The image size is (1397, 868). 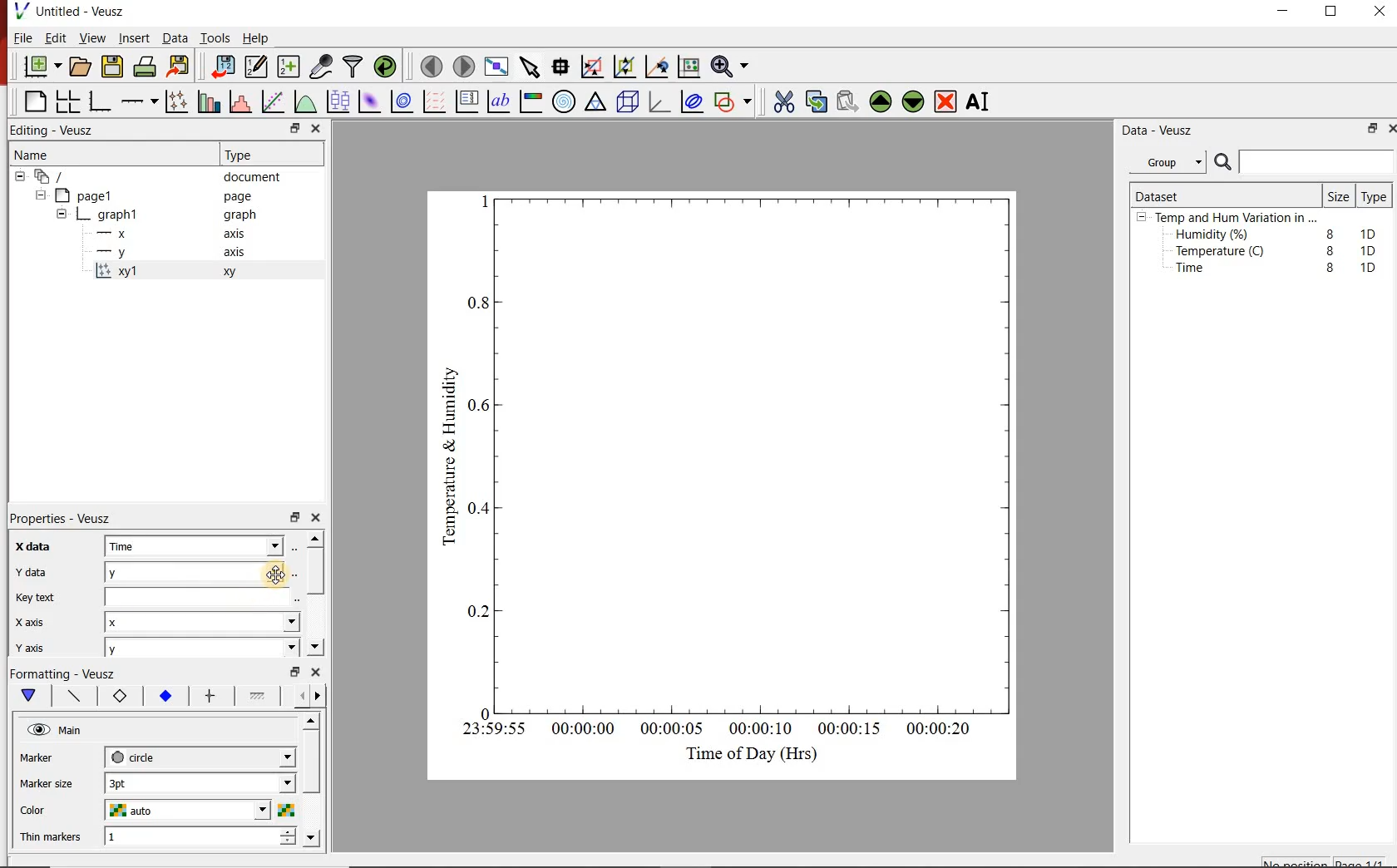 I want to click on Formatting - Veusz, so click(x=67, y=675).